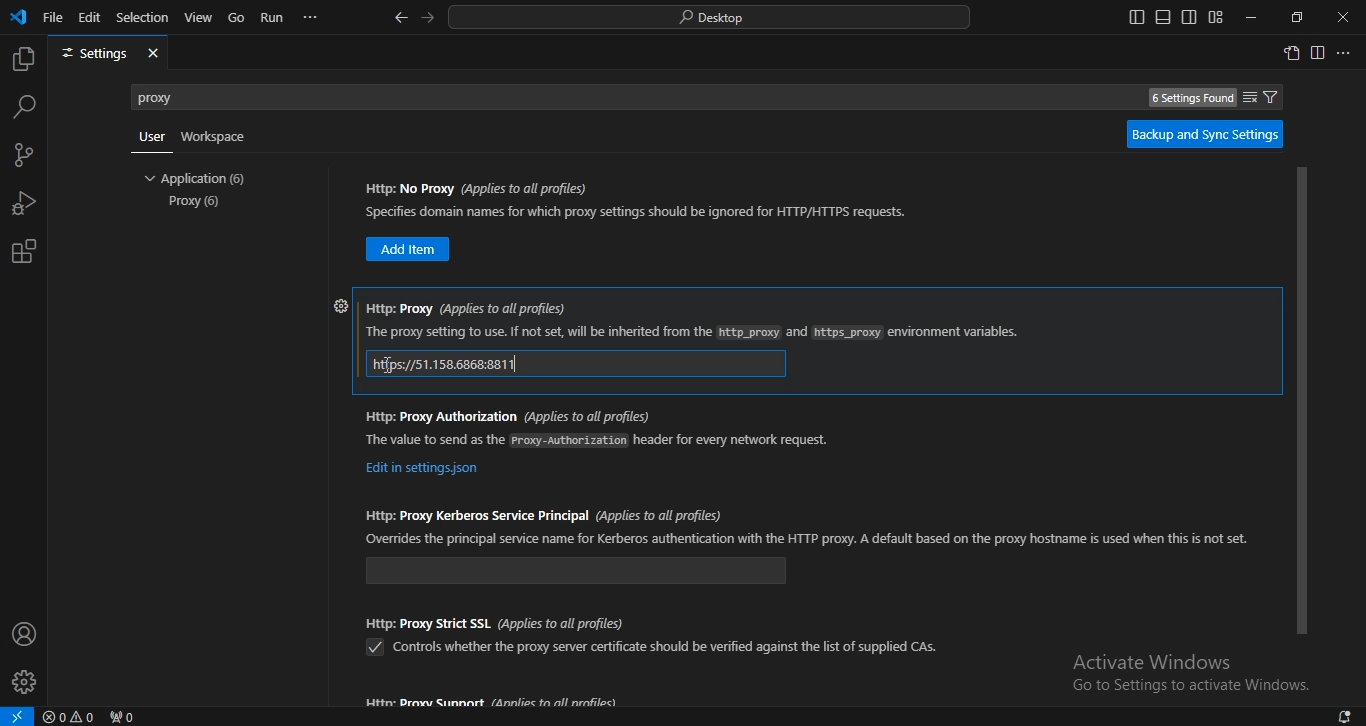 Image resolution: width=1366 pixels, height=726 pixels. I want to click on https: proxy, so click(465, 307).